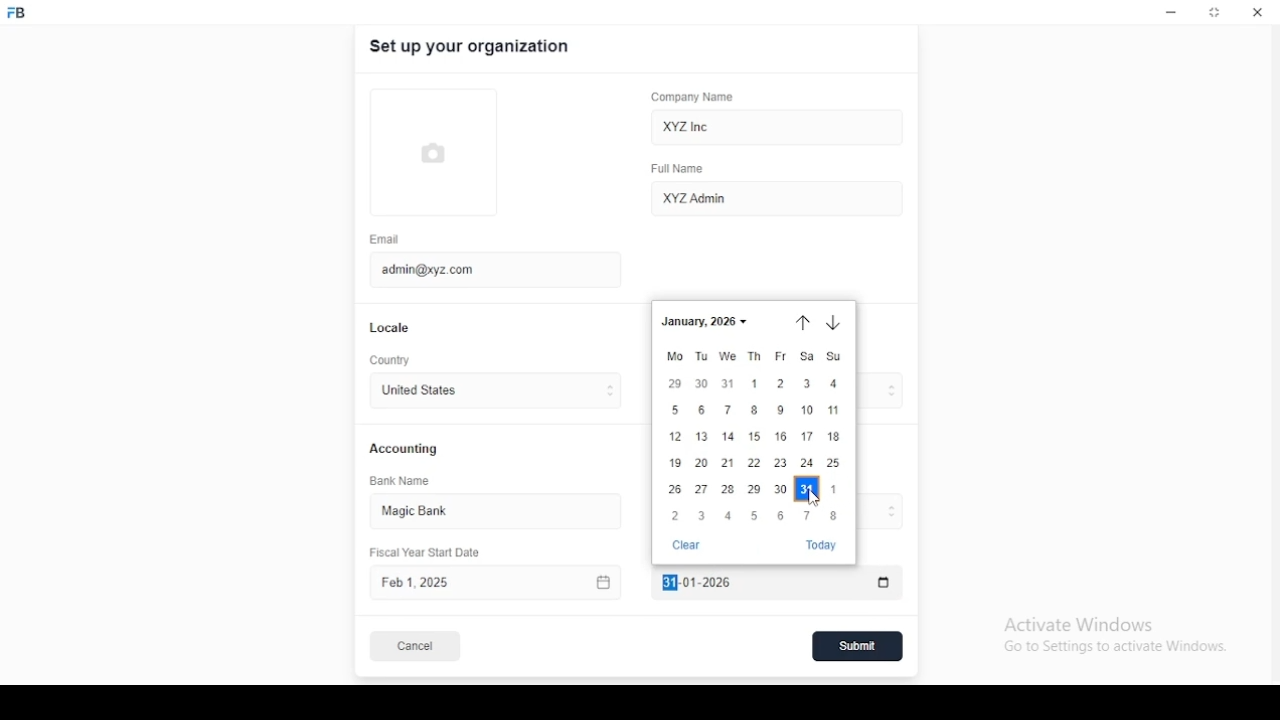 Image resolution: width=1280 pixels, height=720 pixels. Describe the element at coordinates (806, 463) in the screenshot. I see `24` at that location.